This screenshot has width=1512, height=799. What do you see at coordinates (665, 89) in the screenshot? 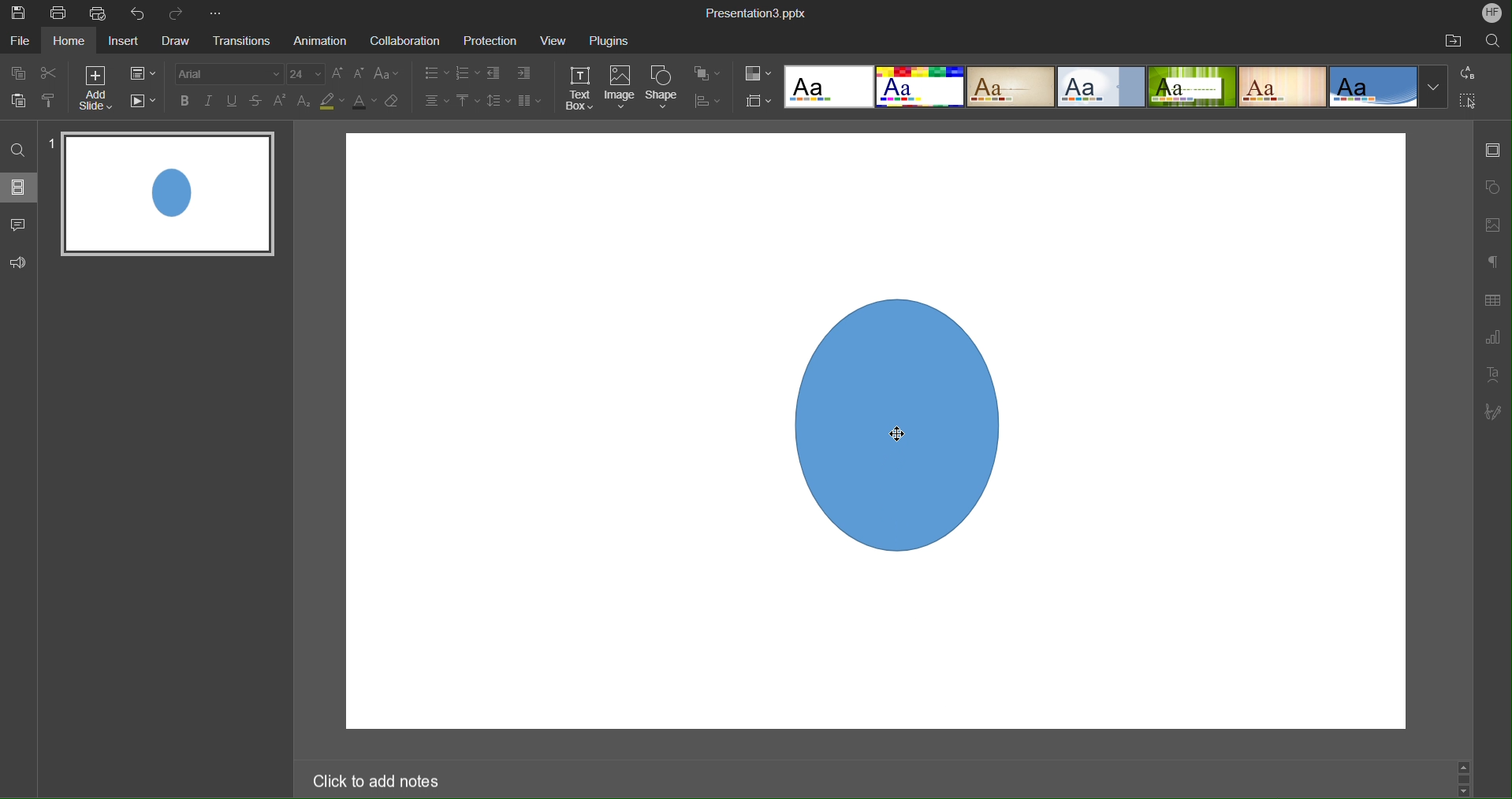
I see `Shape` at bounding box center [665, 89].